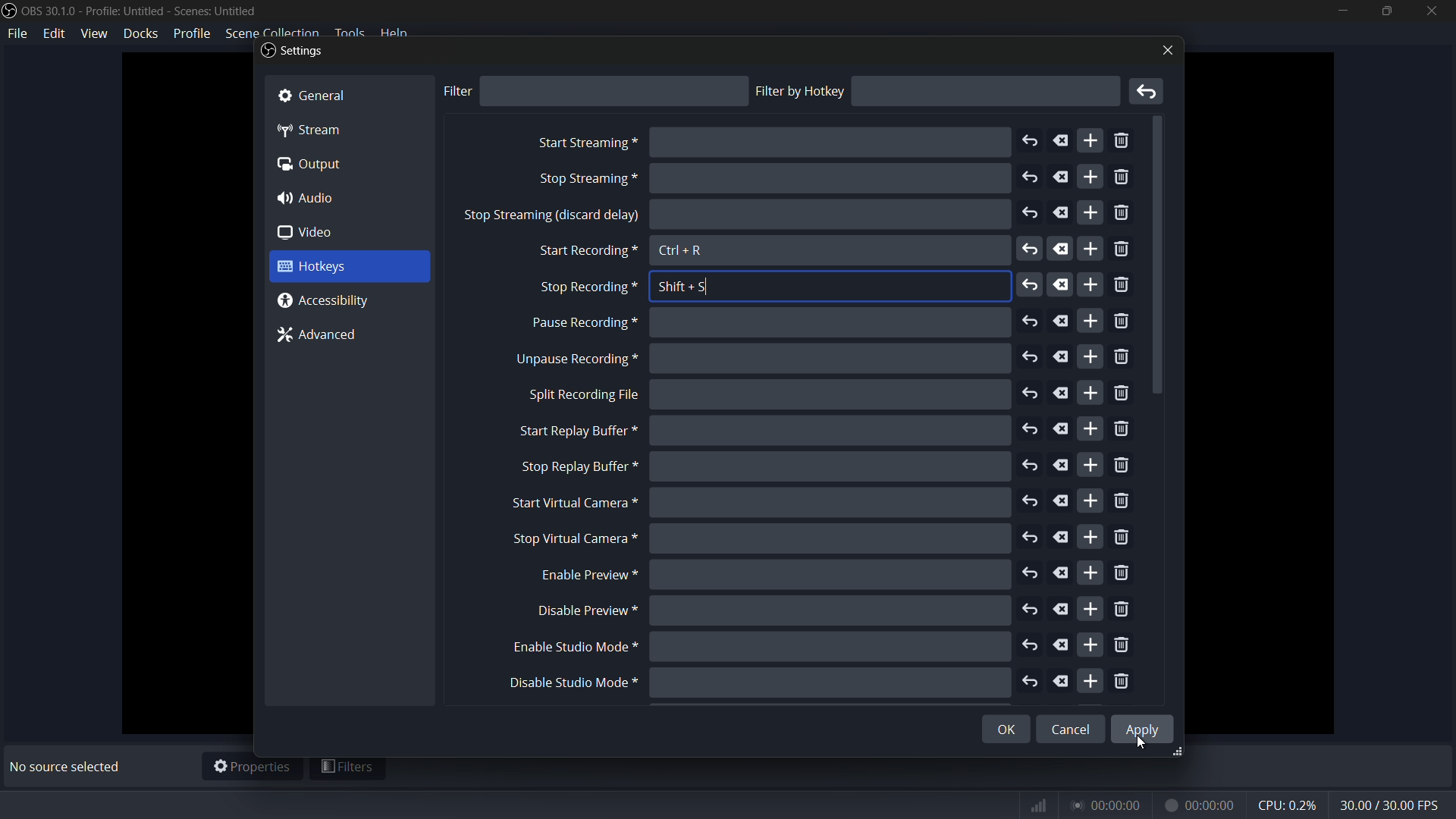  Describe the element at coordinates (1031, 428) in the screenshot. I see `undo` at that location.